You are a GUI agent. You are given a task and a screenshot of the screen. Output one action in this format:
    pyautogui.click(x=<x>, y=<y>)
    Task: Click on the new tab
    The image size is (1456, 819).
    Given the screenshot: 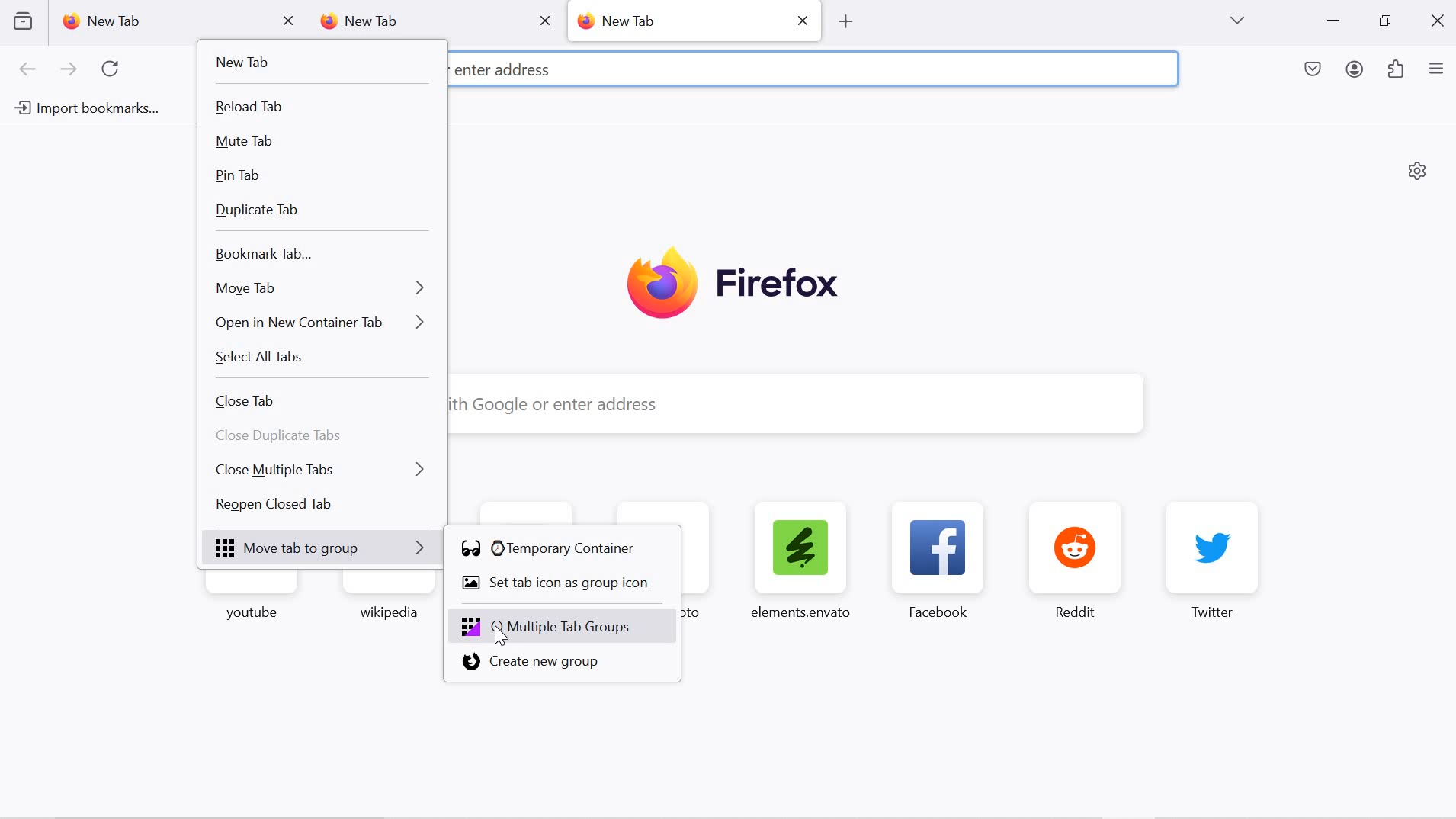 What is the action you would take?
    pyautogui.click(x=159, y=21)
    